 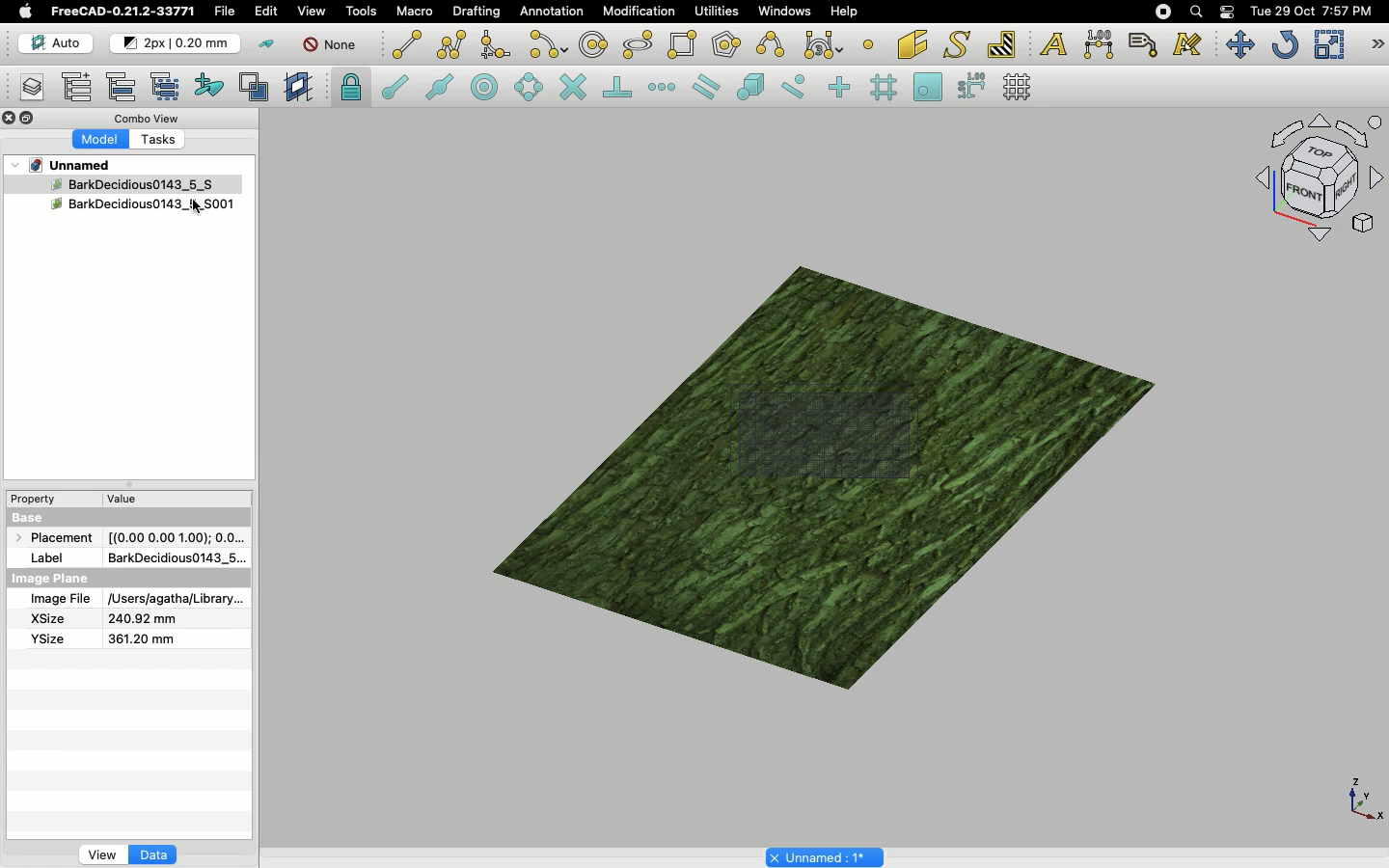 I want to click on Circle, so click(x=594, y=47).